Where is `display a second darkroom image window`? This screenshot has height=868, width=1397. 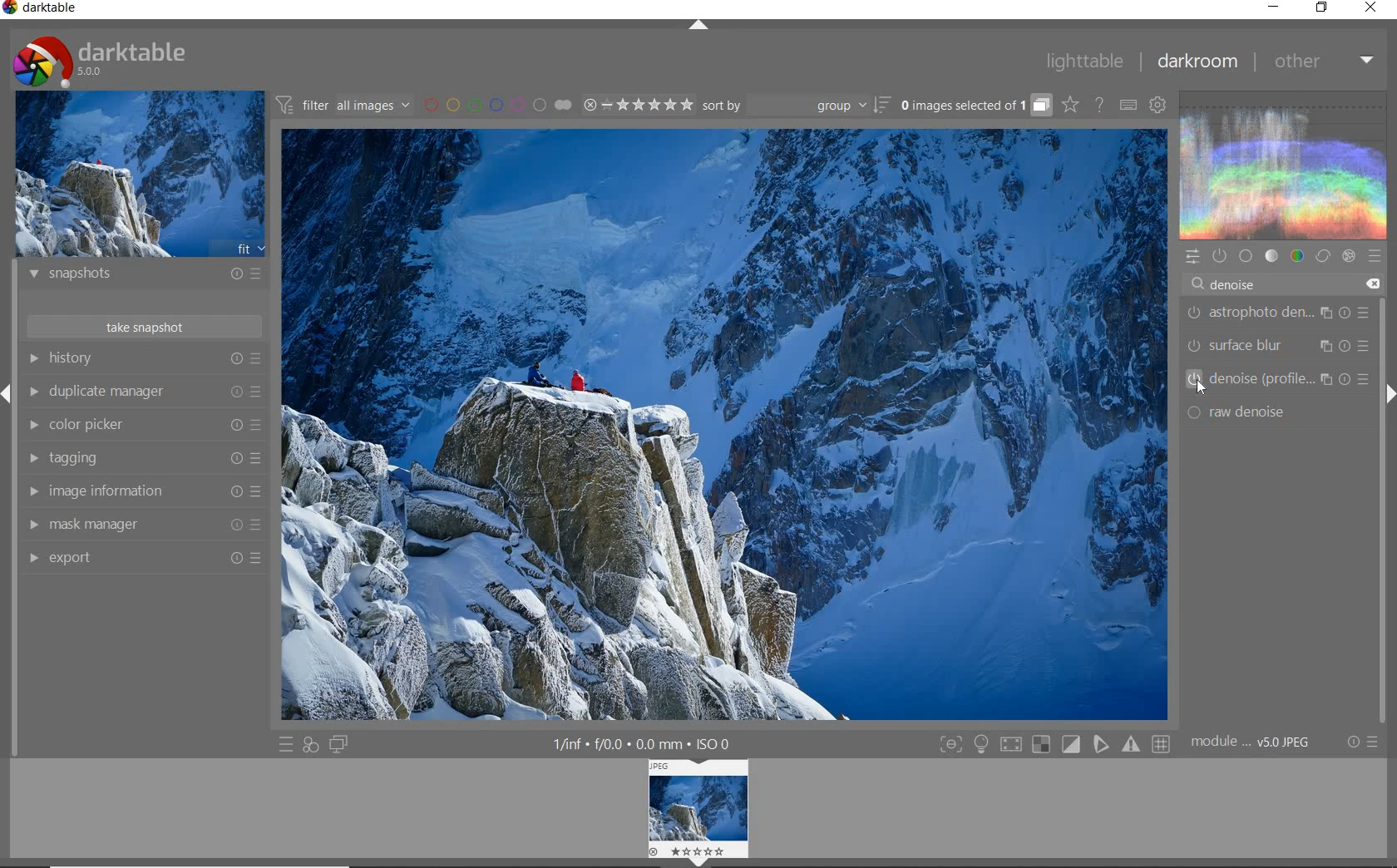
display a second darkroom image window is located at coordinates (338, 745).